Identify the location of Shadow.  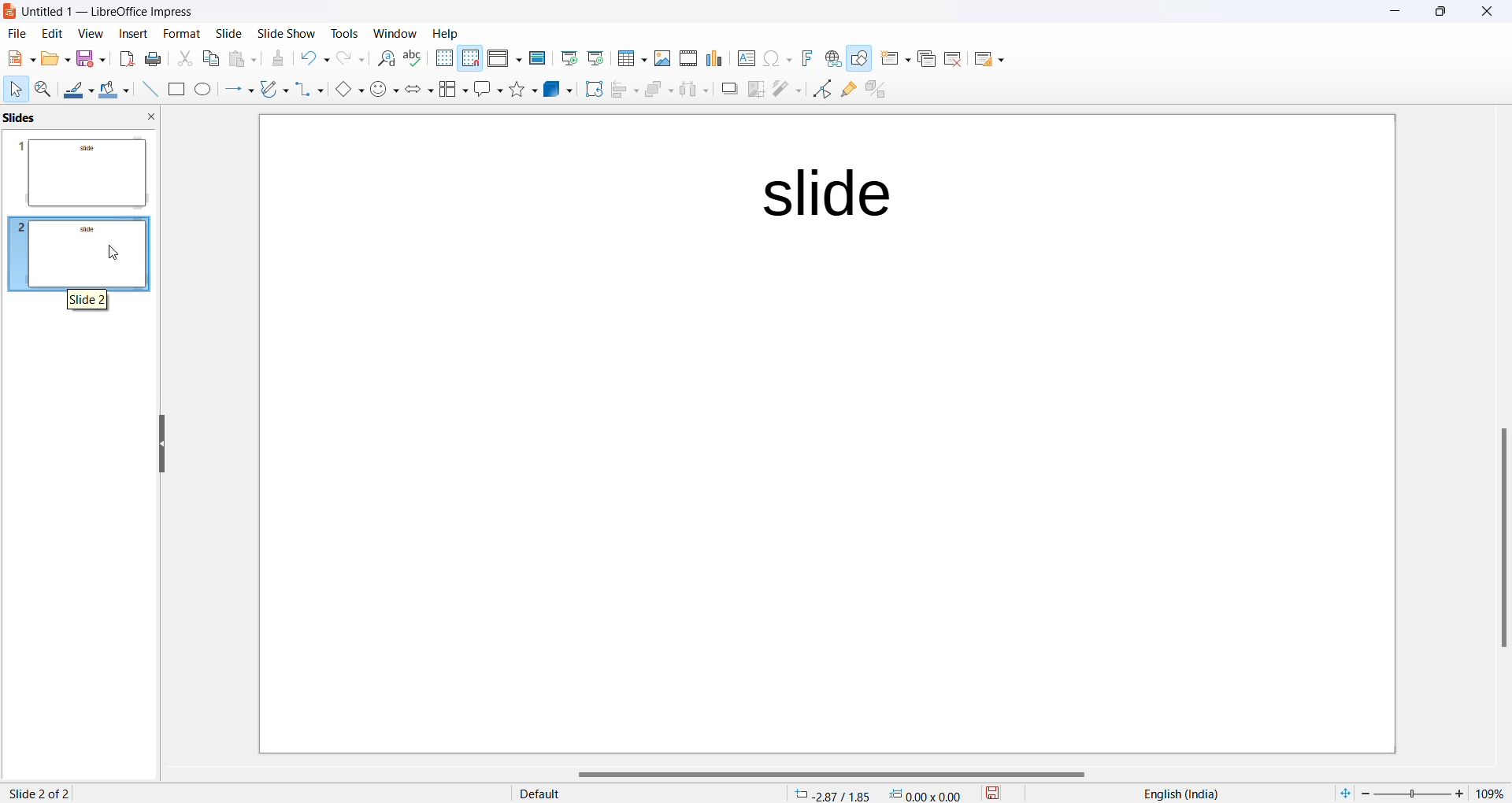
(724, 90).